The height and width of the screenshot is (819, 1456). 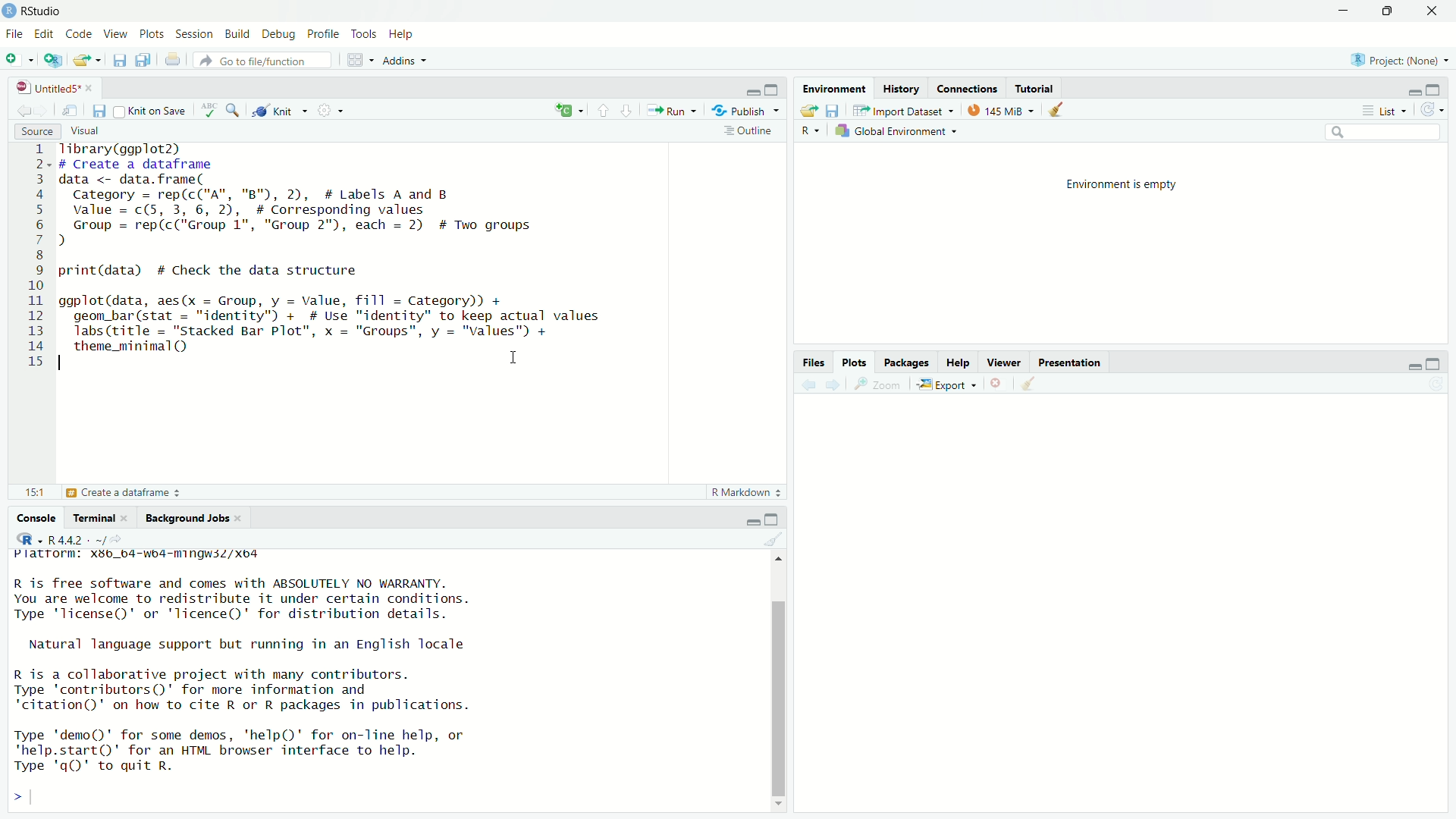 What do you see at coordinates (834, 87) in the screenshot?
I see `Environmental` at bounding box center [834, 87].